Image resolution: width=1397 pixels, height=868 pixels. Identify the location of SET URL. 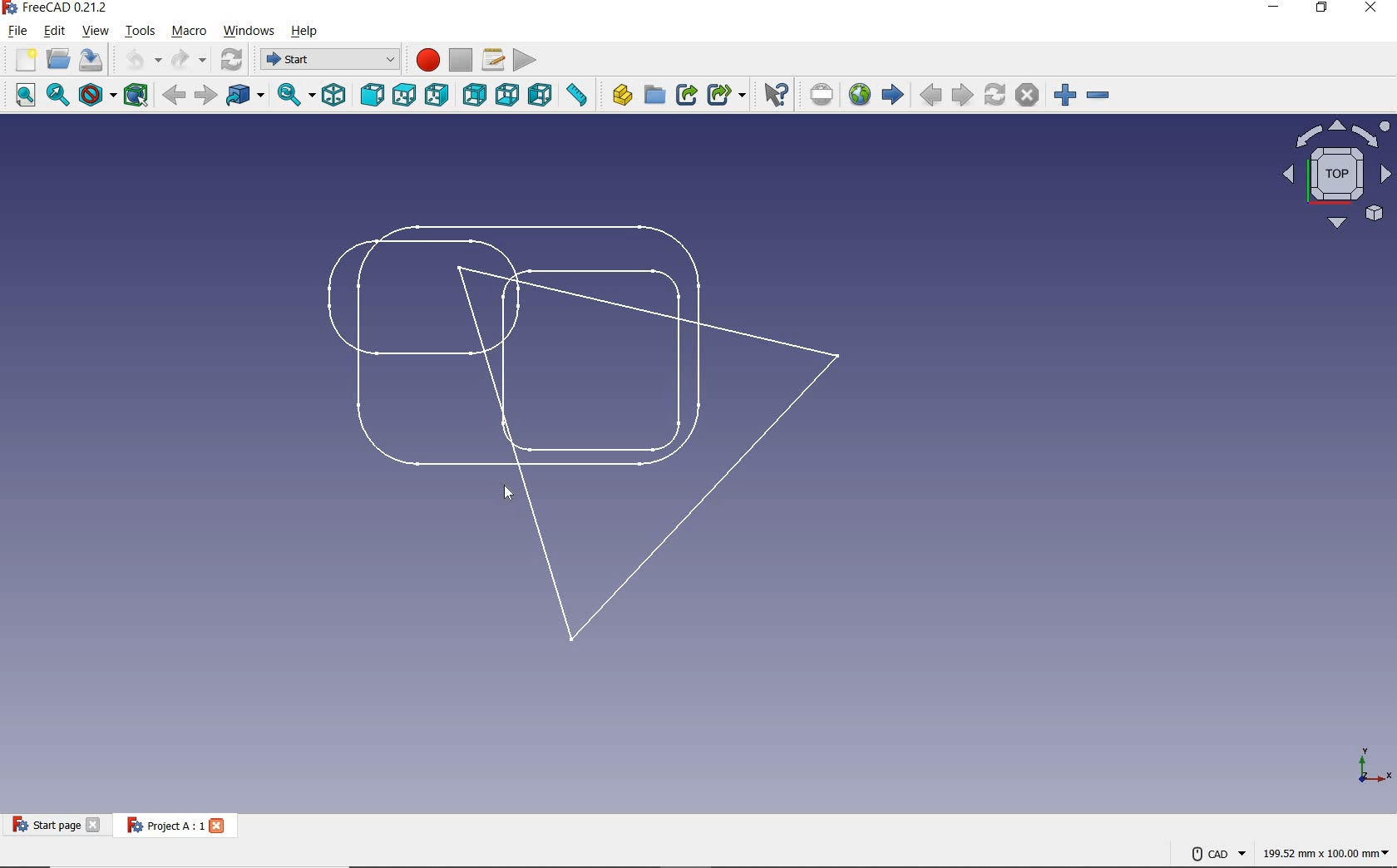
(823, 95).